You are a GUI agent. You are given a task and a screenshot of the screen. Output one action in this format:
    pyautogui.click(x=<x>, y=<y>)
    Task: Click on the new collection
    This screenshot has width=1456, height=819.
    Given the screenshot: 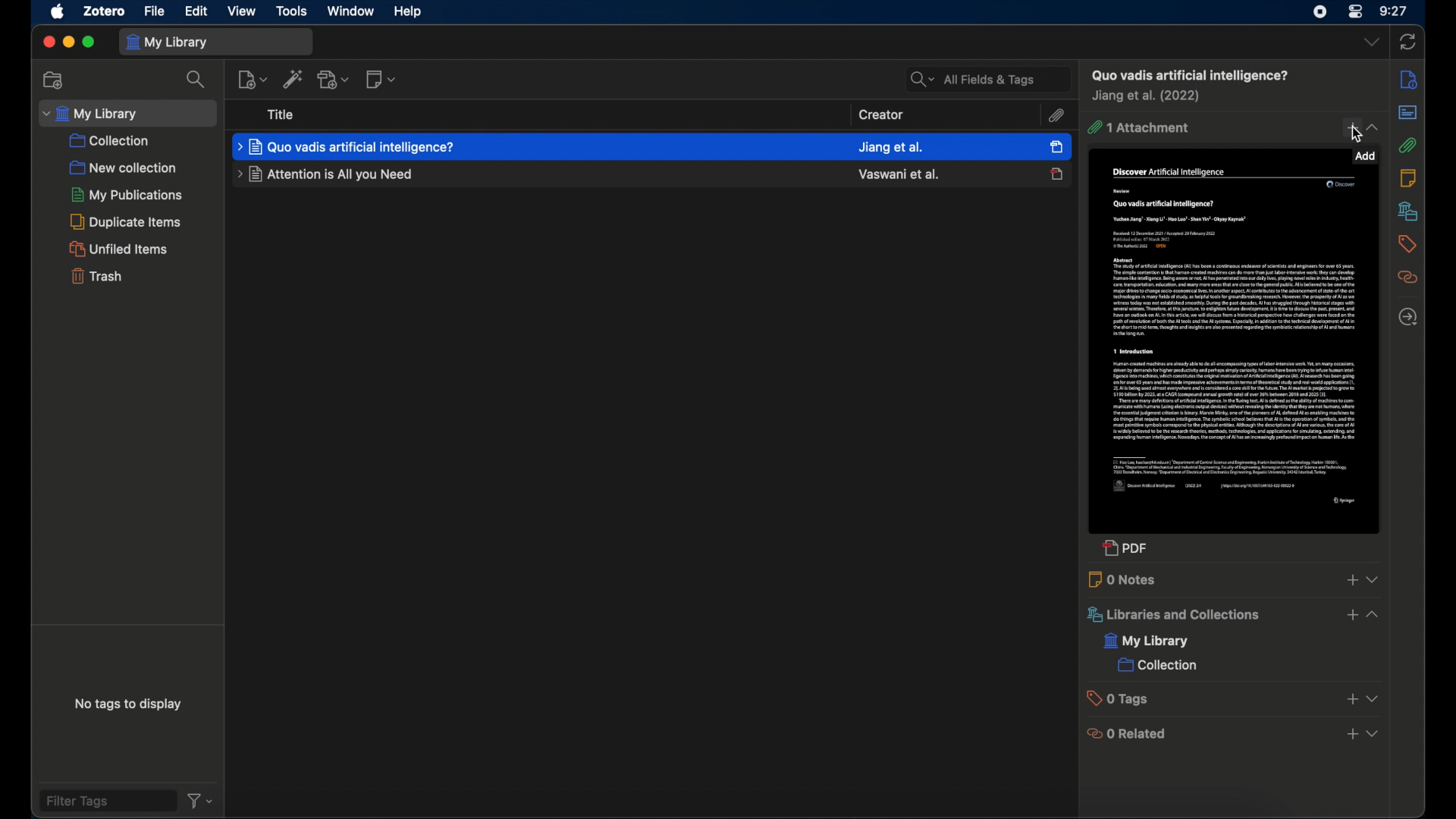 What is the action you would take?
    pyautogui.click(x=124, y=167)
    